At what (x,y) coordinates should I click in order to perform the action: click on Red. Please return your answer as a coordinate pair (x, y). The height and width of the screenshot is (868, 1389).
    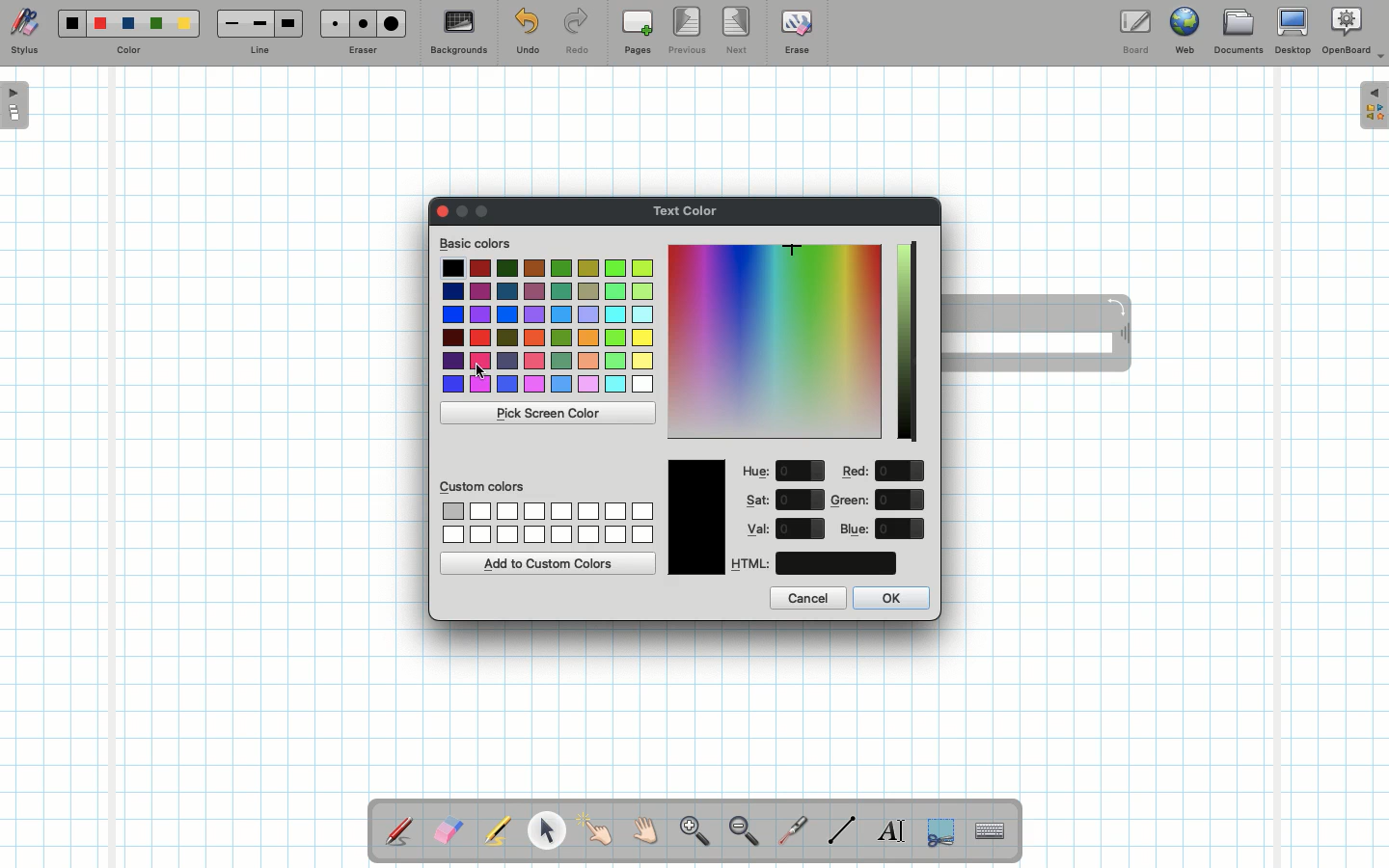
    Looking at the image, I should click on (101, 24).